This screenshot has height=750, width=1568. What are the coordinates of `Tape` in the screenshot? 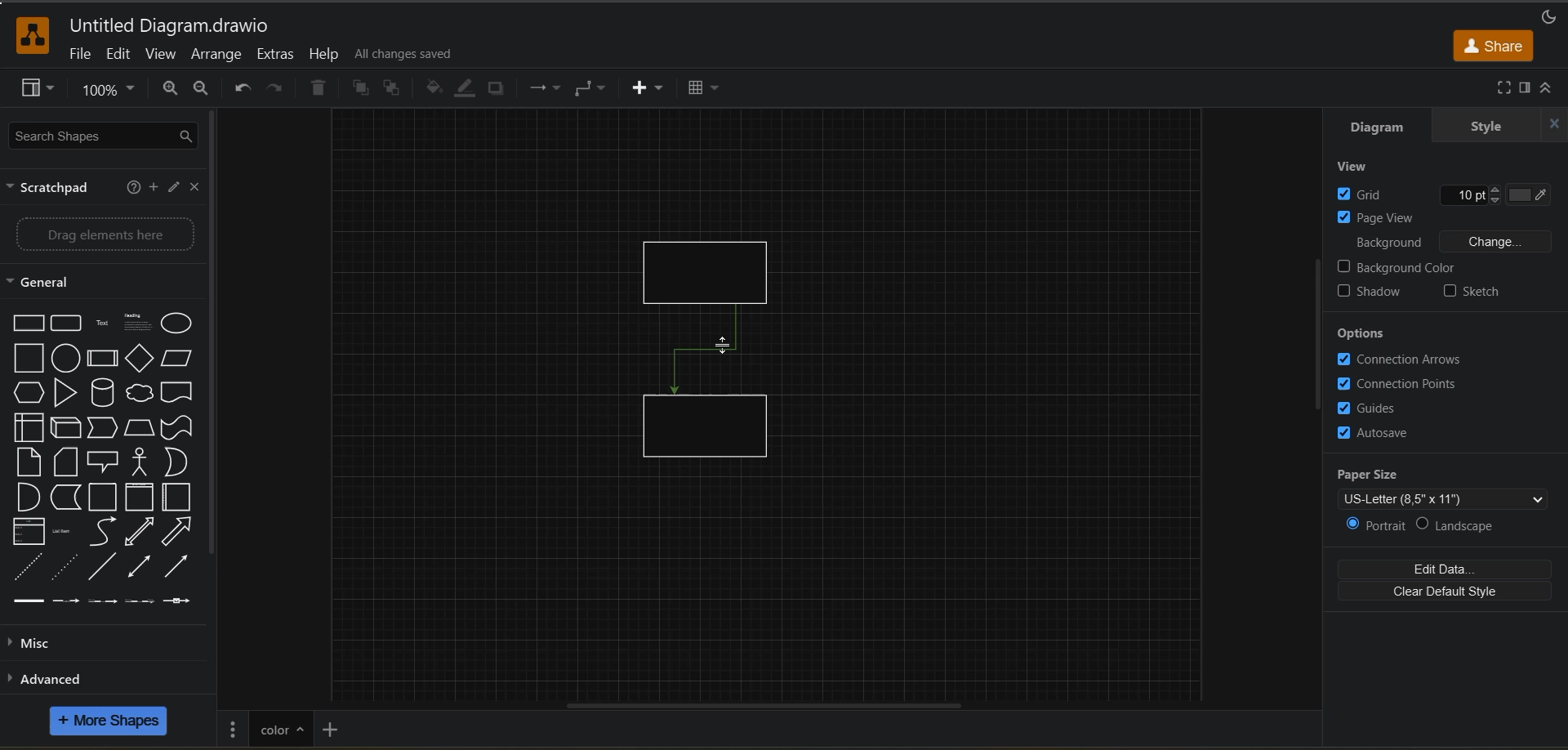 It's located at (178, 428).